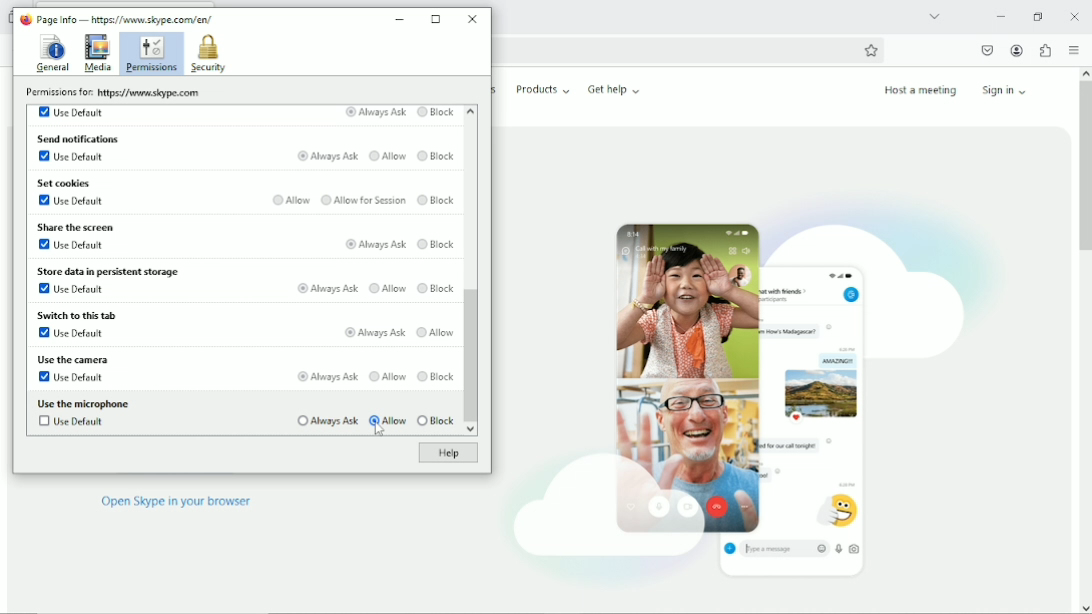 Image resolution: width=1092 pixels, height=614 pixels. Describe the element at coordinates (470, 112) in the screenshot. I see `scroll up` at that location.